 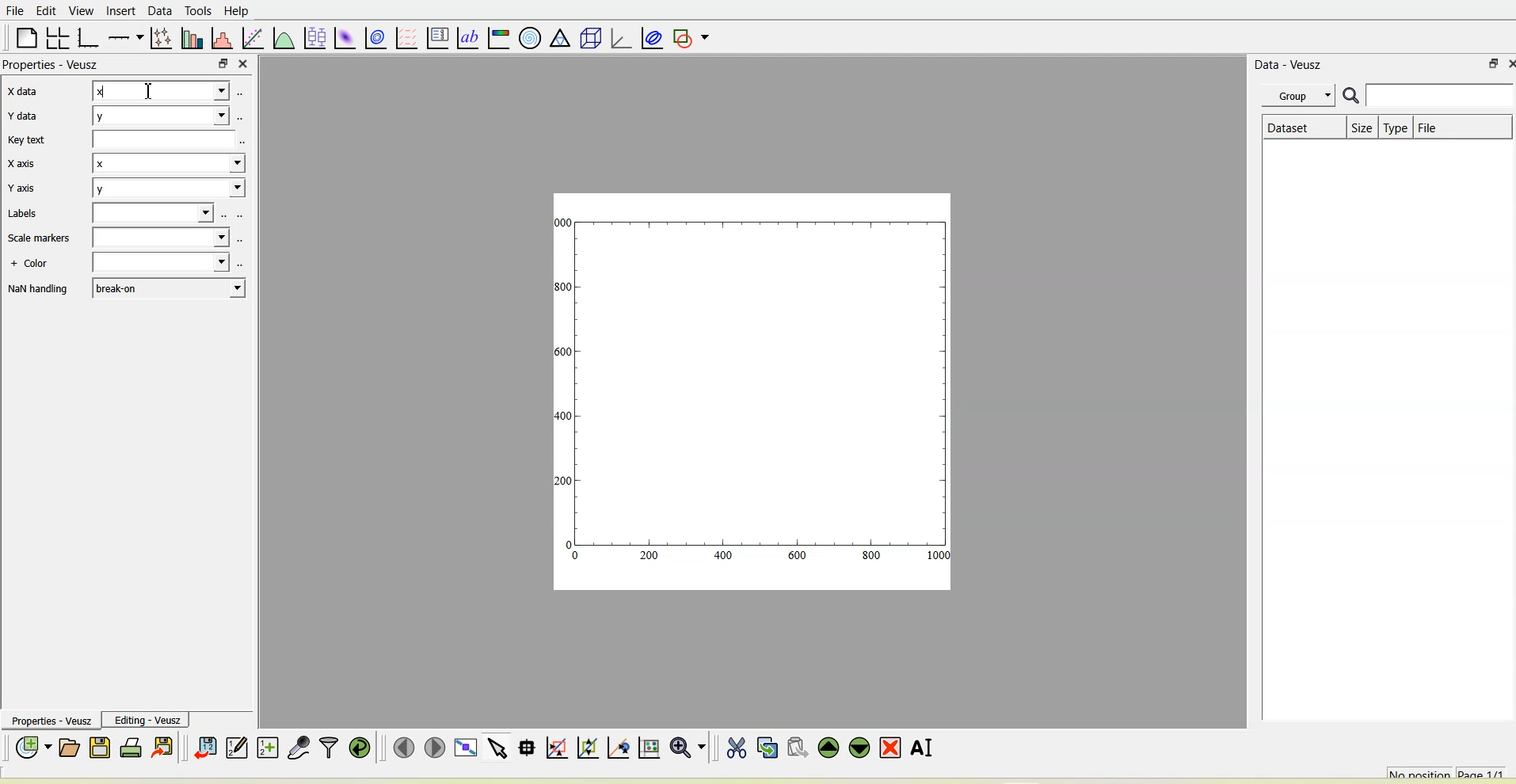 I want to click on Move to the next page, so click(x=435, y=747).